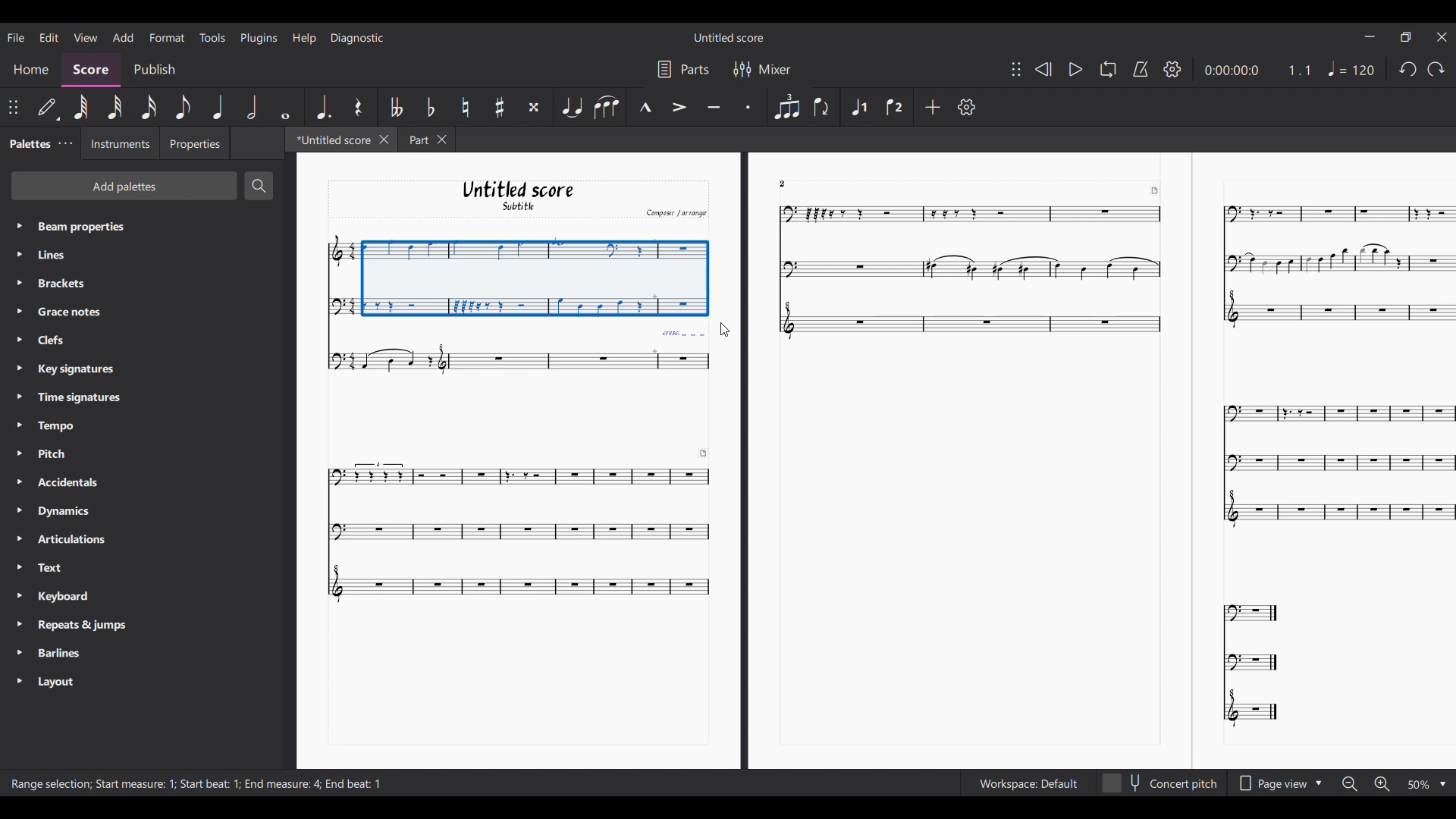 This screenshot has width=1456, height=819. I want to click on Toggle sharp, so click(500, 107).